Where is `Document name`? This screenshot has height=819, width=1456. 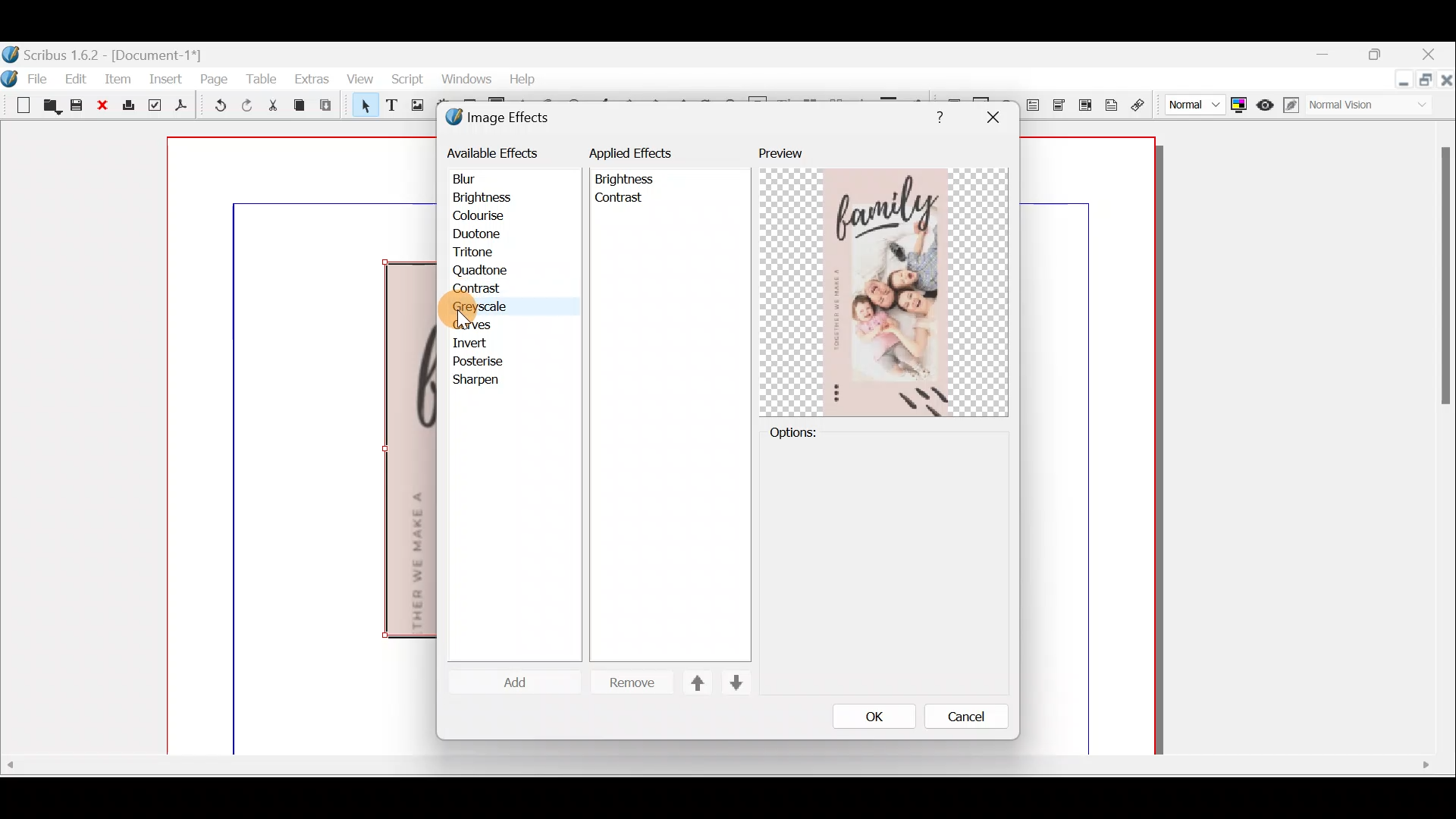 Document name is located at coordinates (110, 50).